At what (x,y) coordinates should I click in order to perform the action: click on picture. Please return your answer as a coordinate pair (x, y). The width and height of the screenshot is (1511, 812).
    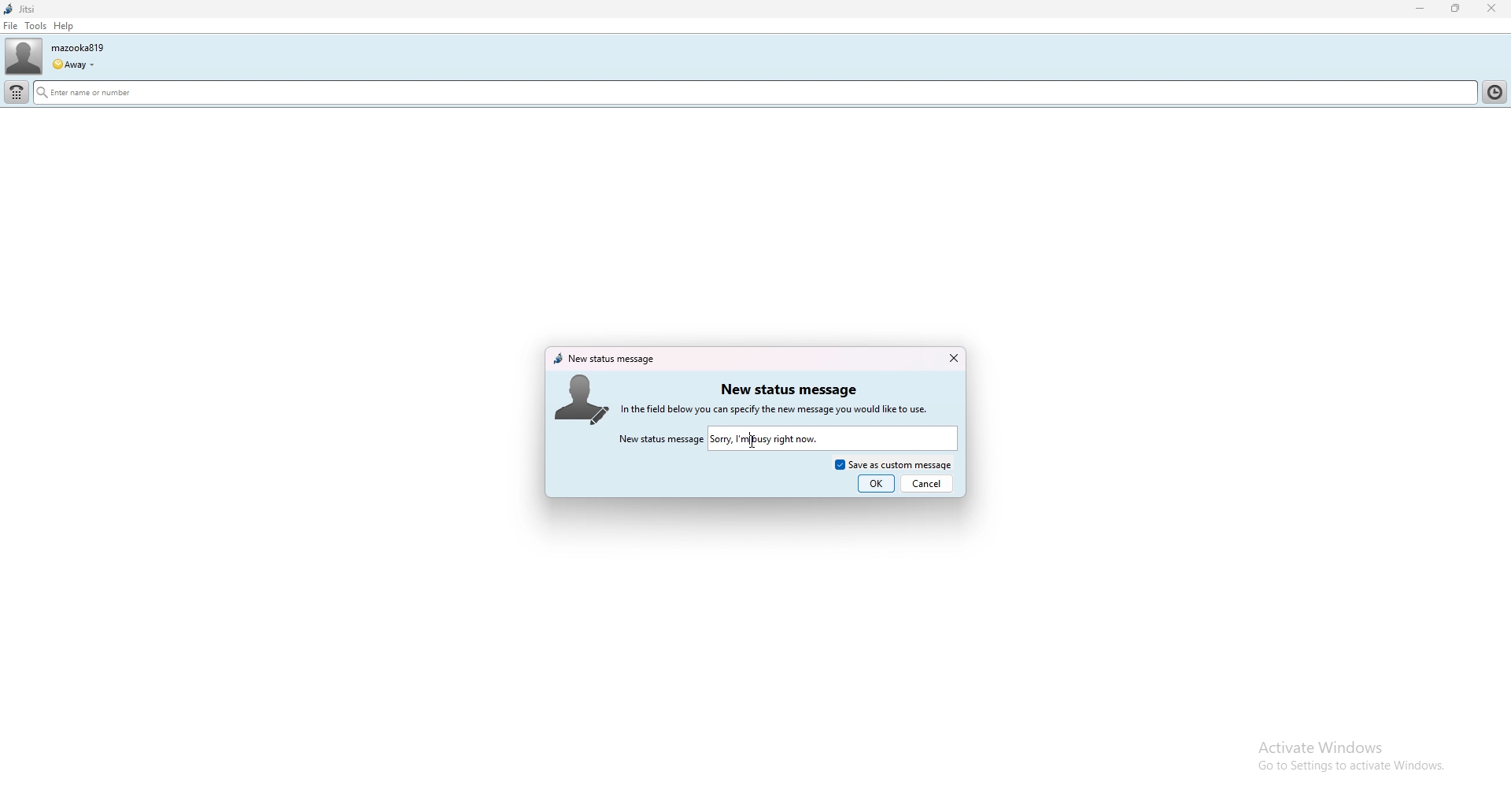
    Looking at the image, I should click on (585, 397).